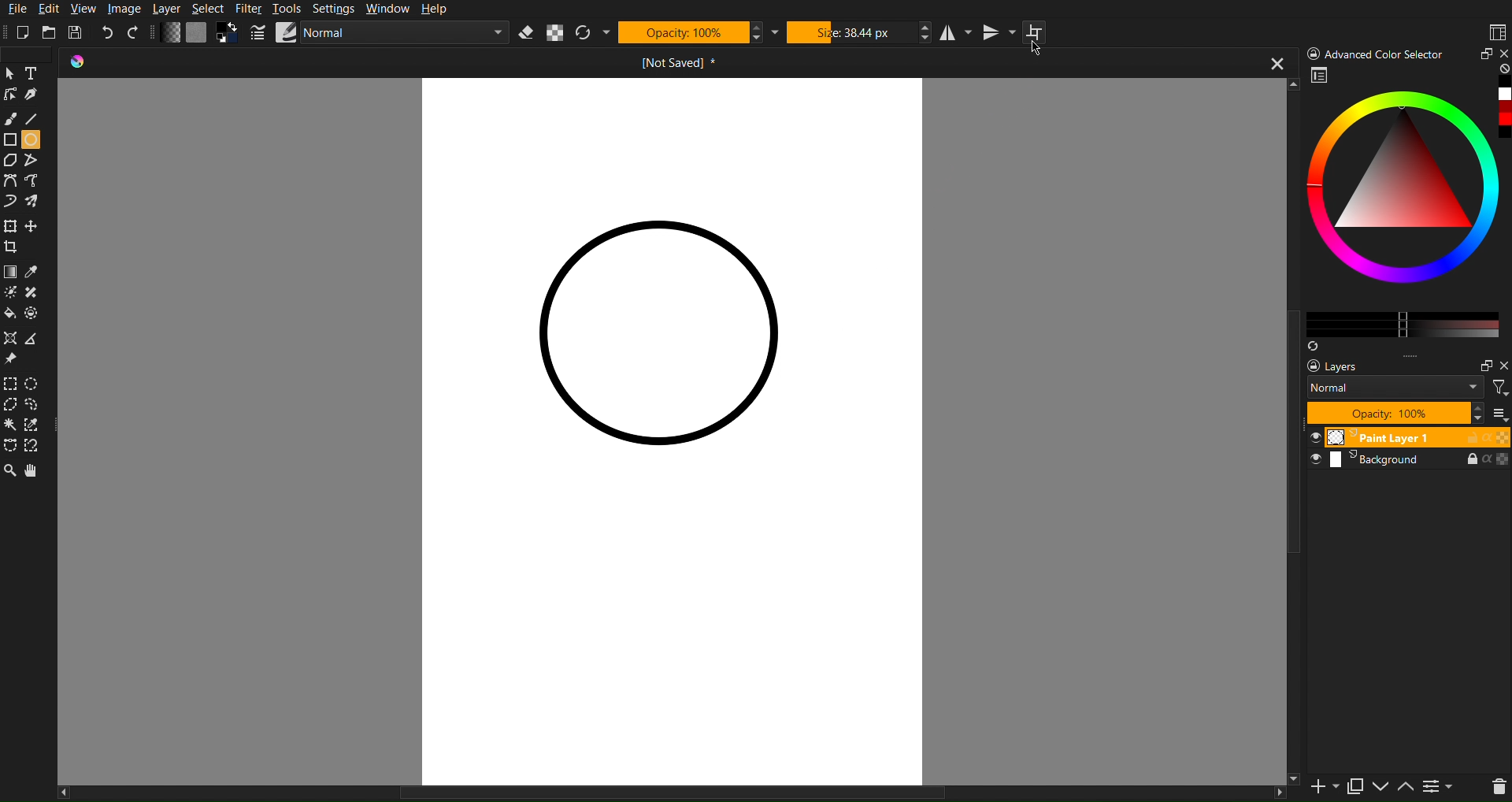 The image size is (1512, 802). Describe the element at coordinates (438, 9) in the screenshot. I see `Help` at that location.